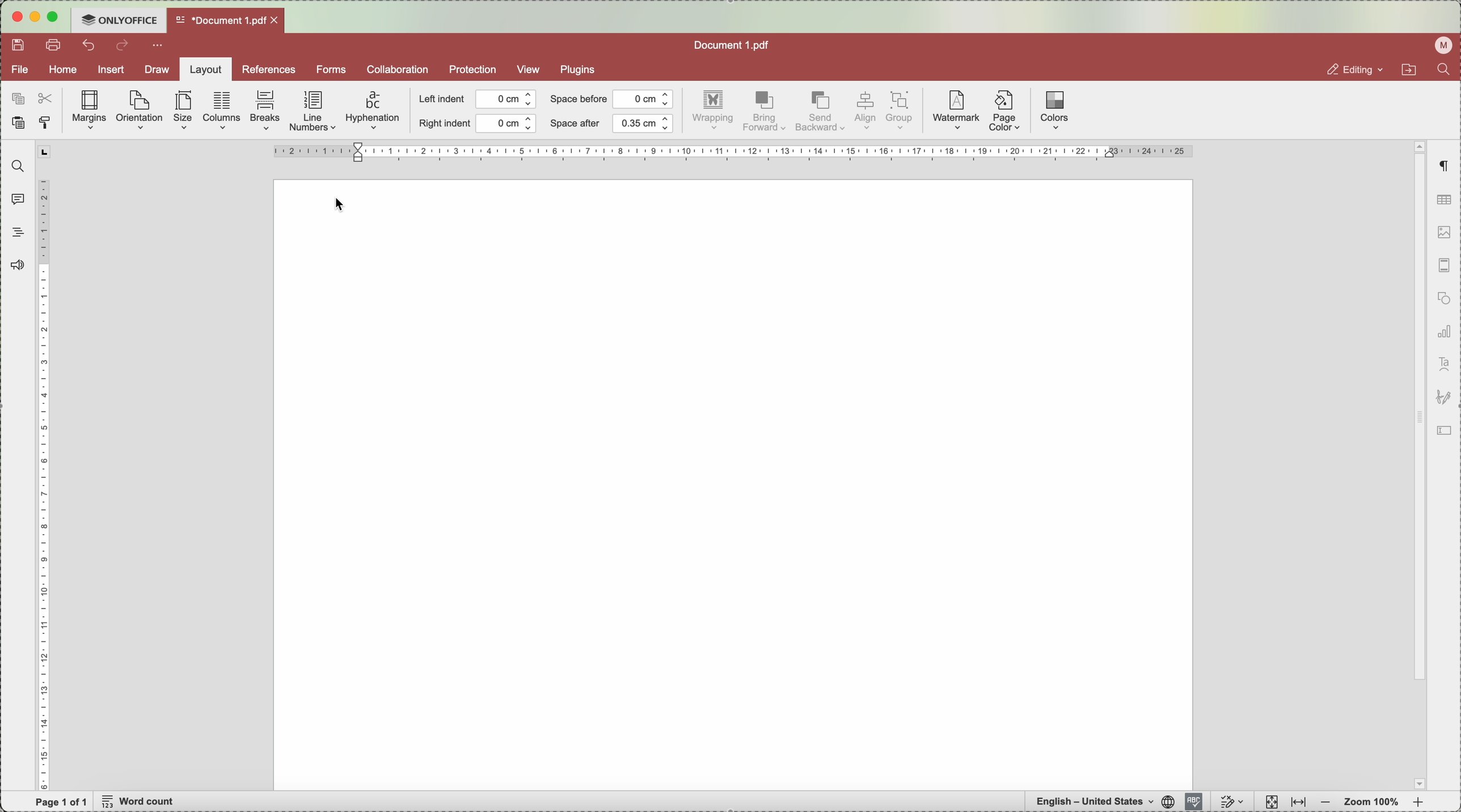  What do you see at coordinates (955, 111) in the screenshot?
I see `watermark` at bounding box center [955, 111].